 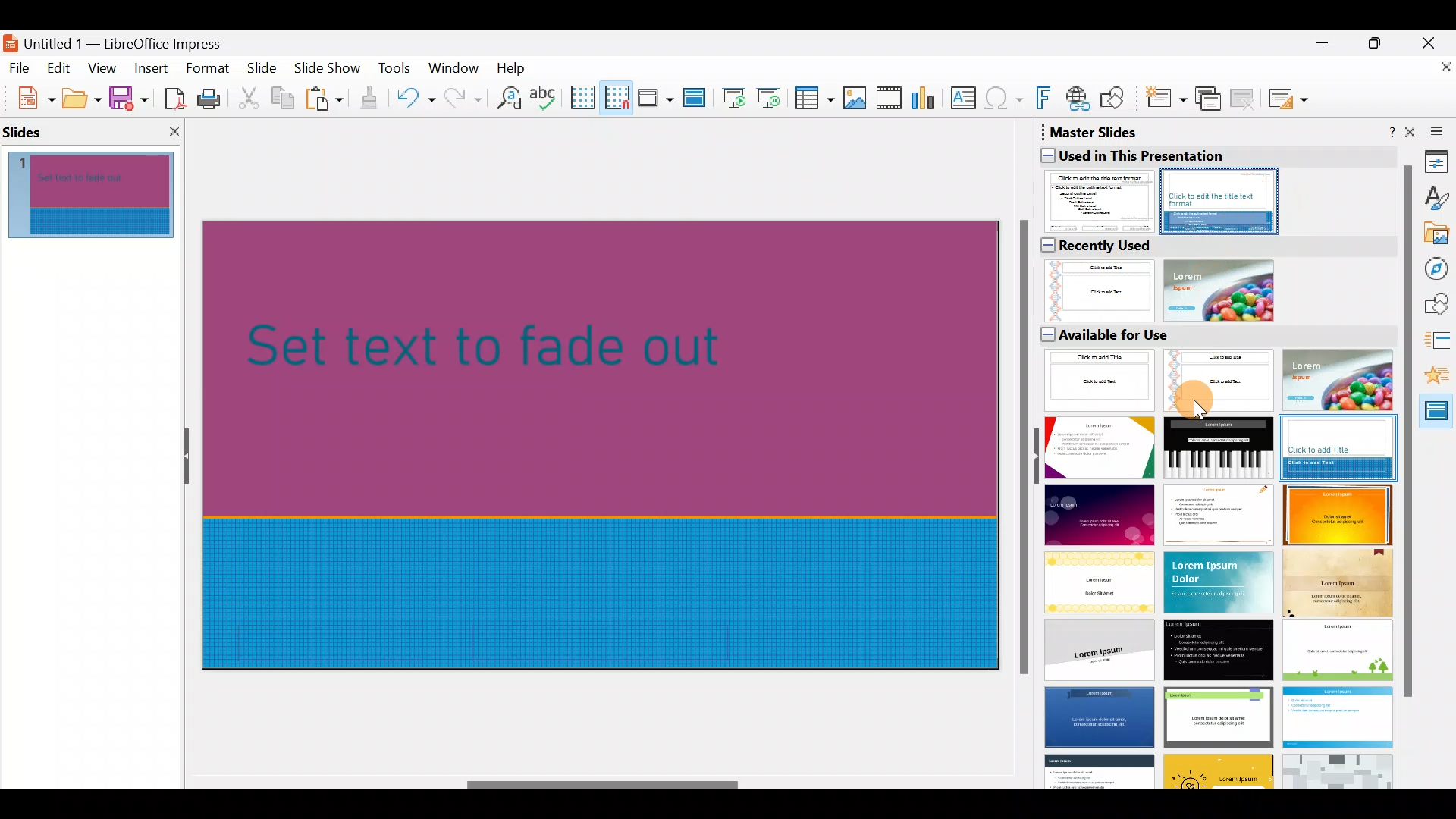 What do you see at coordinates (966, 99) in the screenshot?
I see `Insert text box` at bounding box center [966, 99].